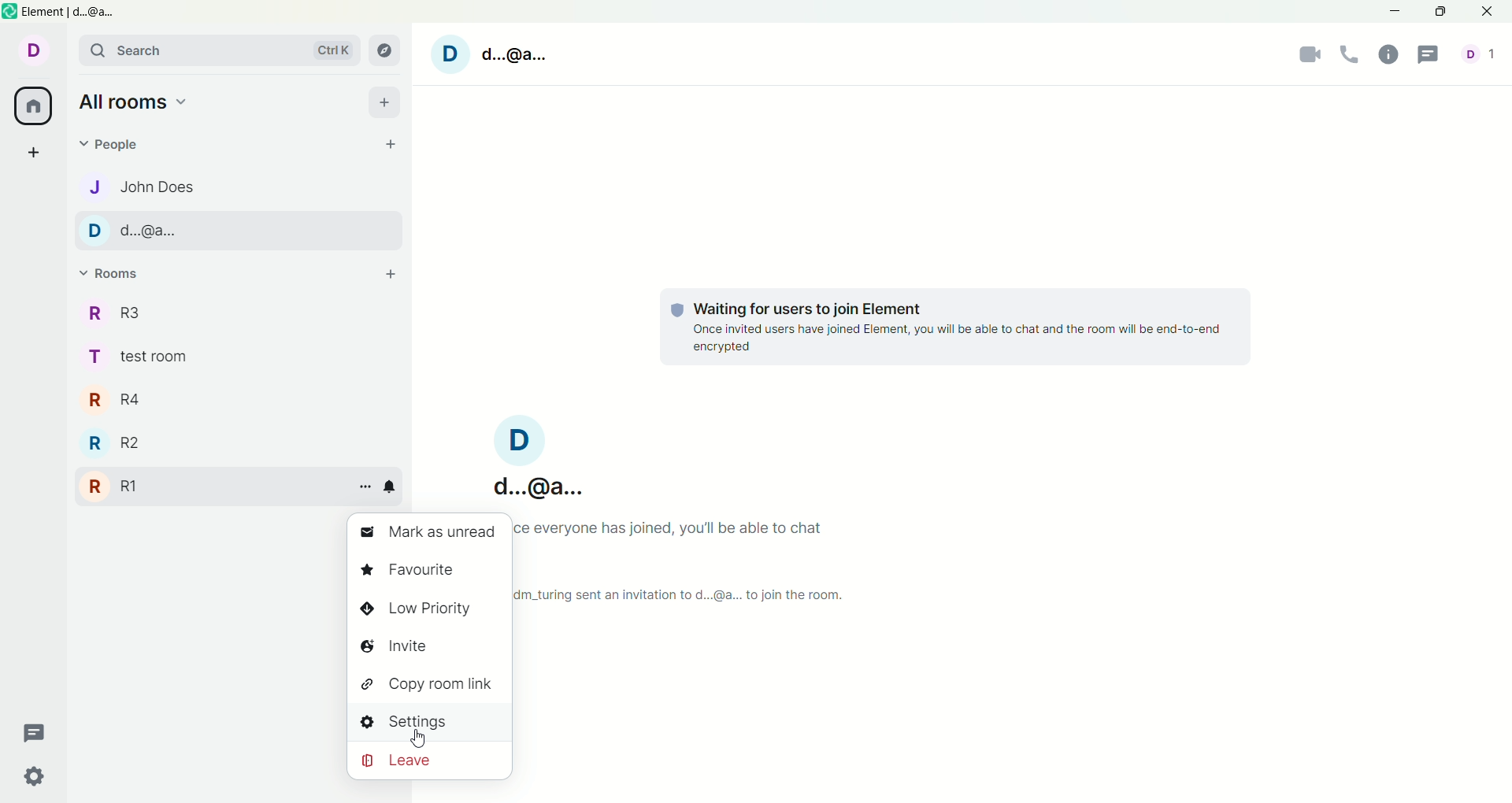 This screenshot has width=1512, height=803. Describe the element at coordinates (76, 13) in the screenshot. I see `element d@a` at that location.